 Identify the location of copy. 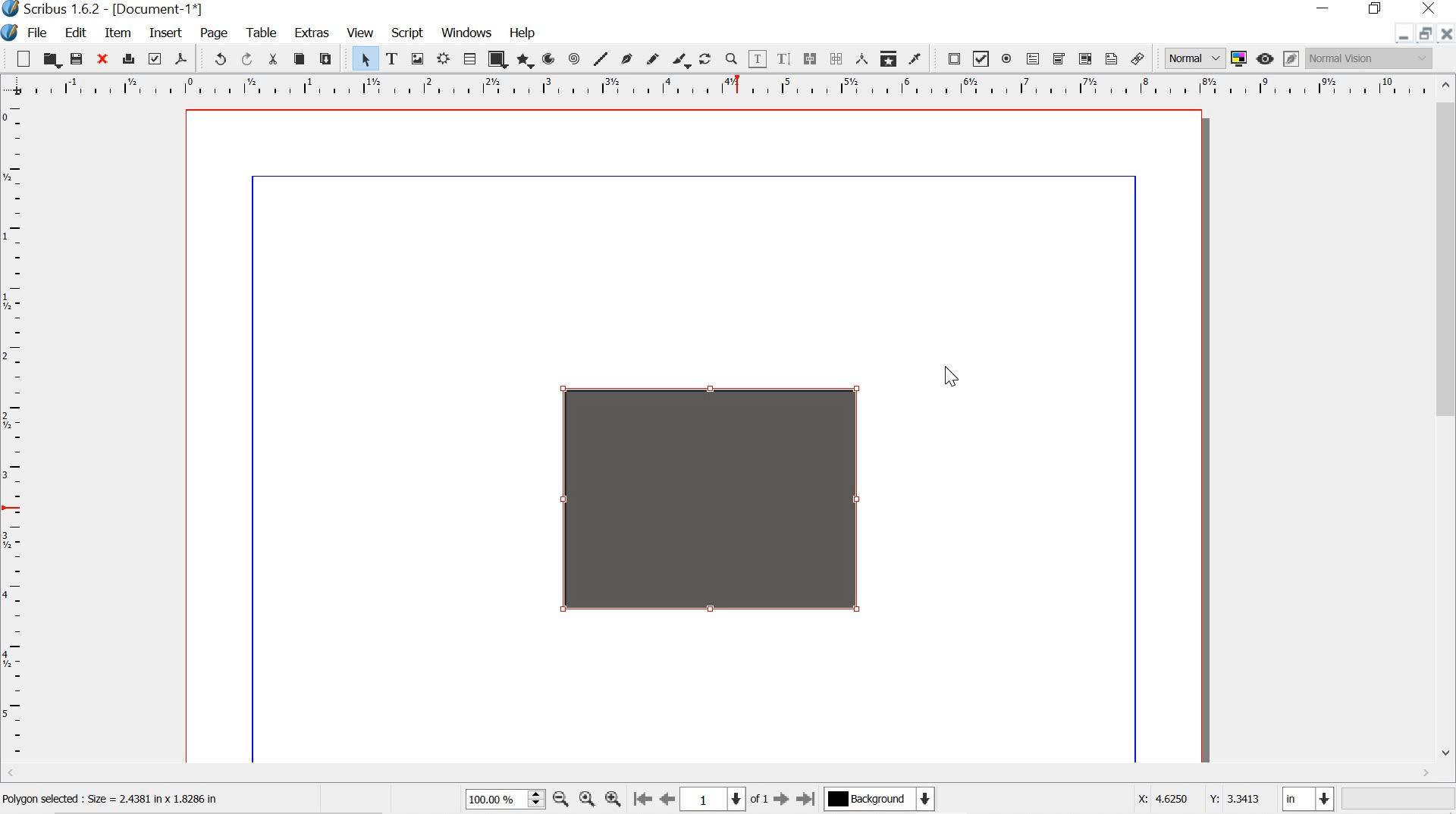
(299, 58).